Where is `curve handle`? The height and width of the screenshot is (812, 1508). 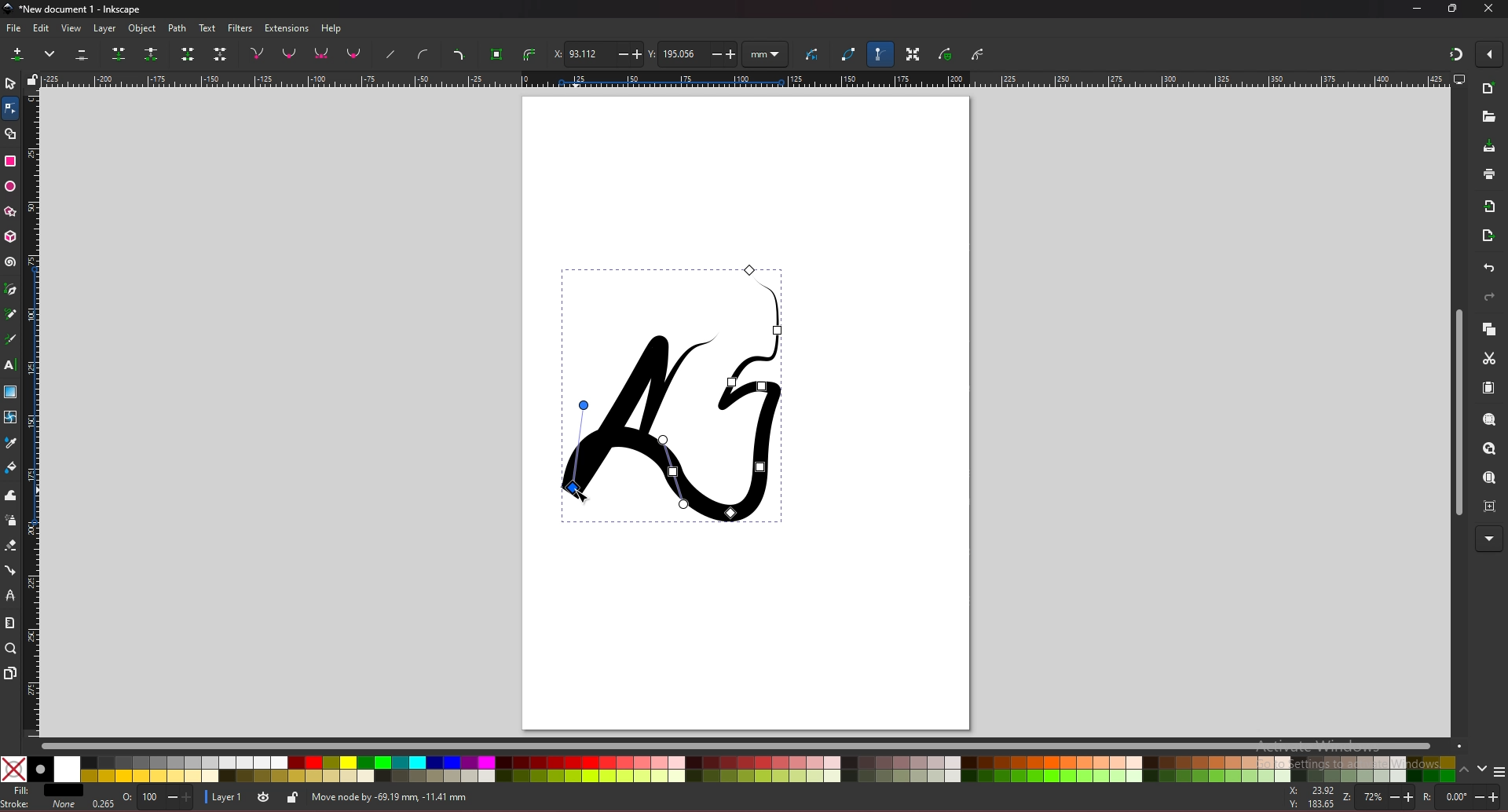
curve handle is located at coordinates (424, 53).